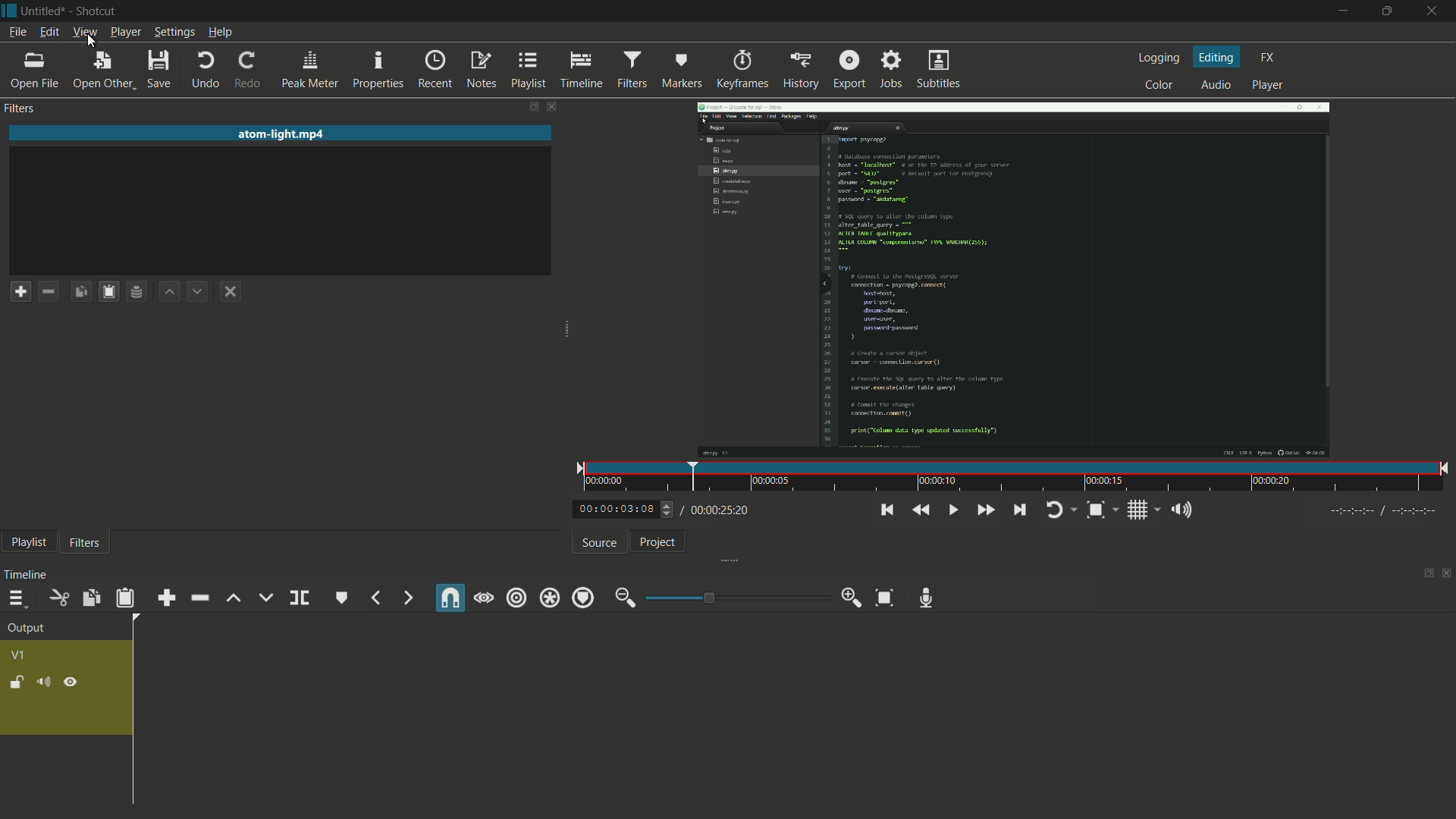 Image resolution: width=1456 pixels, height=819 pixels. Describe the element at coordinates (718, 510) in the screenshot. I see `total time` at that location.